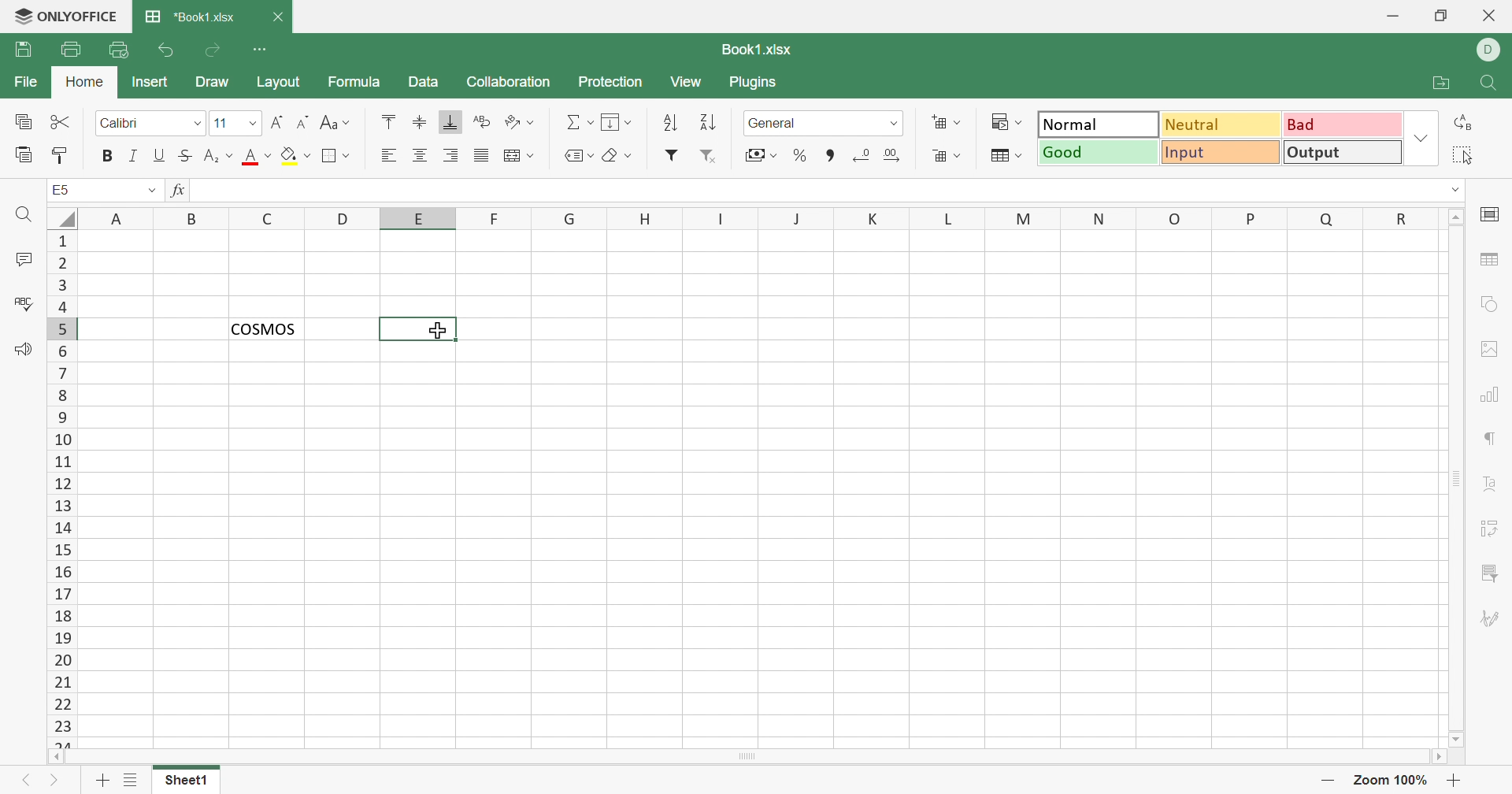  I want to click on Superscript / subscript, so click(220, 157).